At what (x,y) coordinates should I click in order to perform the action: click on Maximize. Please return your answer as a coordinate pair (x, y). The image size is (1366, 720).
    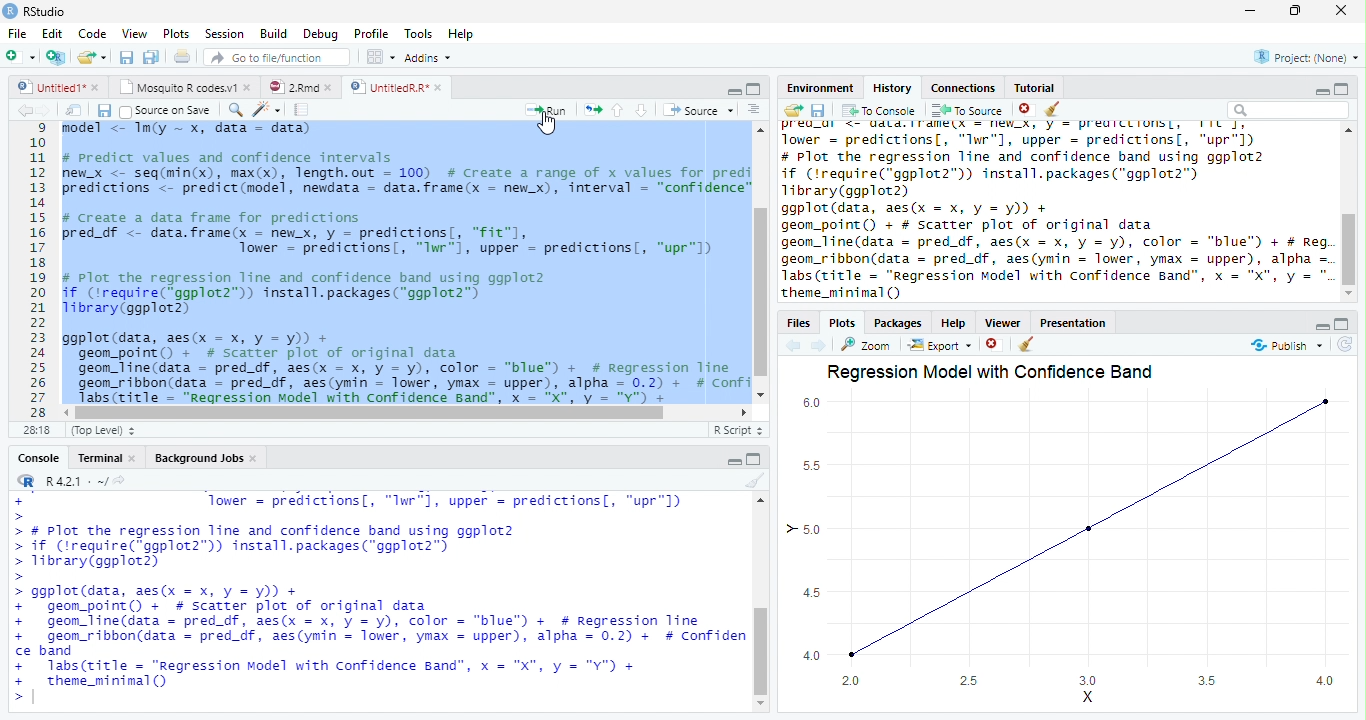
    Looking at the image, I should click on (1294, 10).